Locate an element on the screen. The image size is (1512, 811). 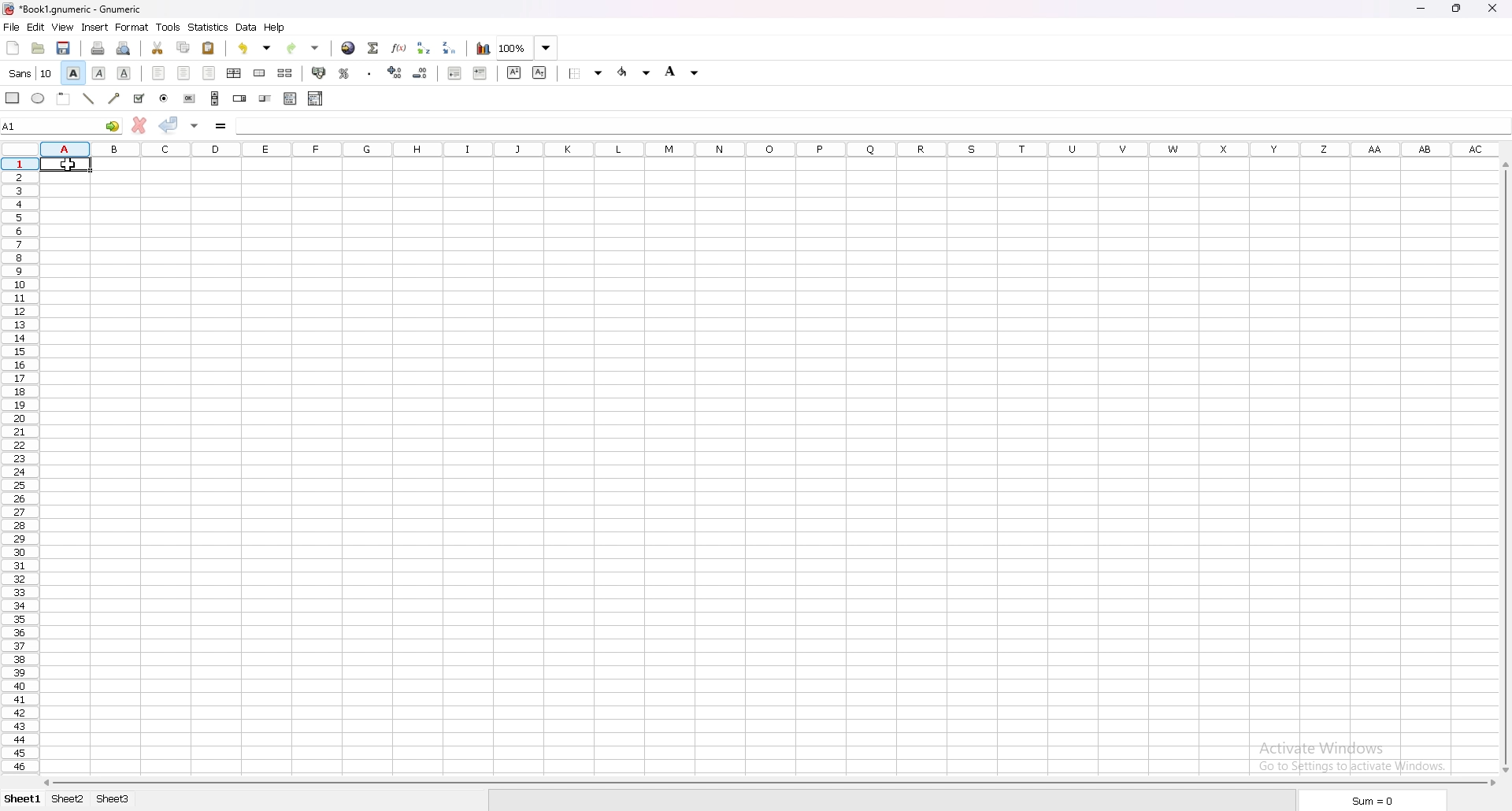
formula is located at coordinates (220, 125).